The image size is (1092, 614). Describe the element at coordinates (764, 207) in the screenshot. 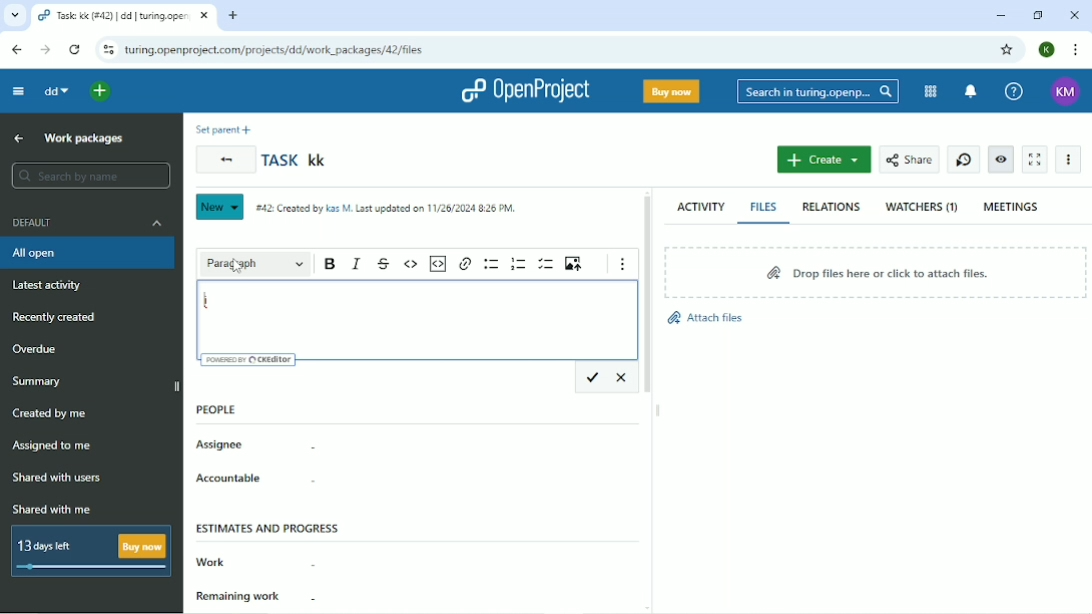

I see `Files` at that location.